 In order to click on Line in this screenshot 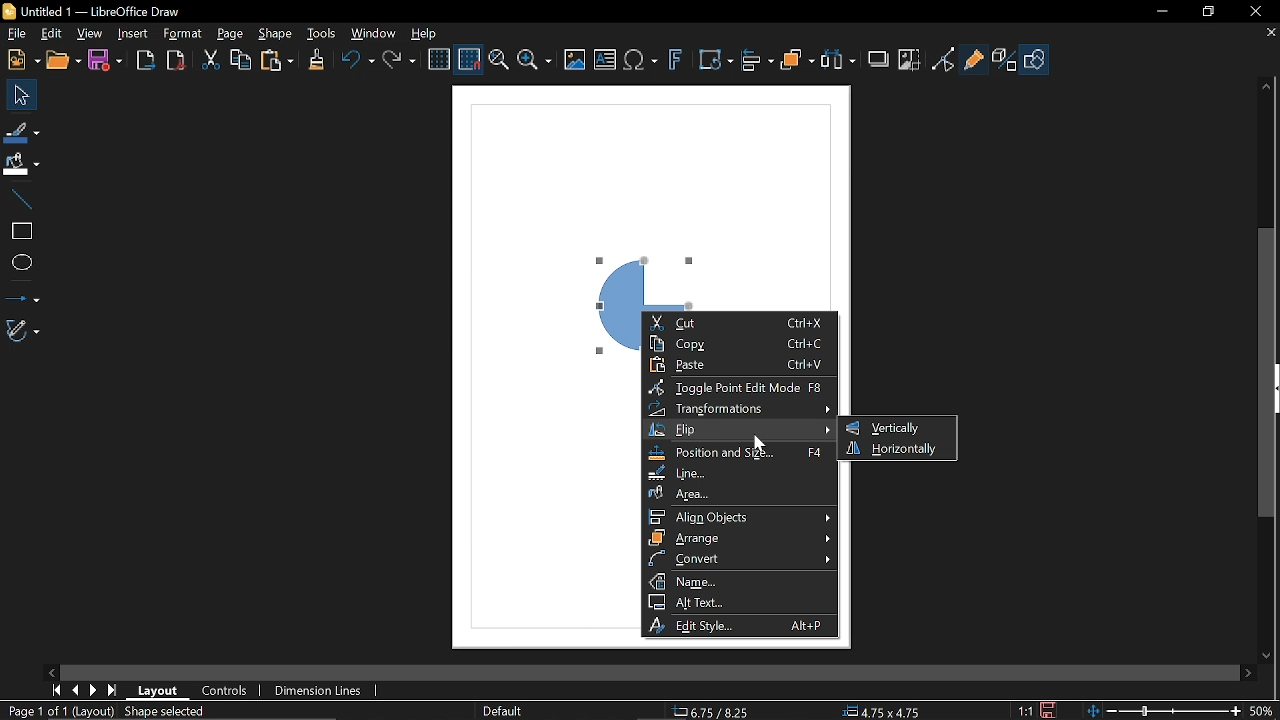, I will do `click(738, 473)`.